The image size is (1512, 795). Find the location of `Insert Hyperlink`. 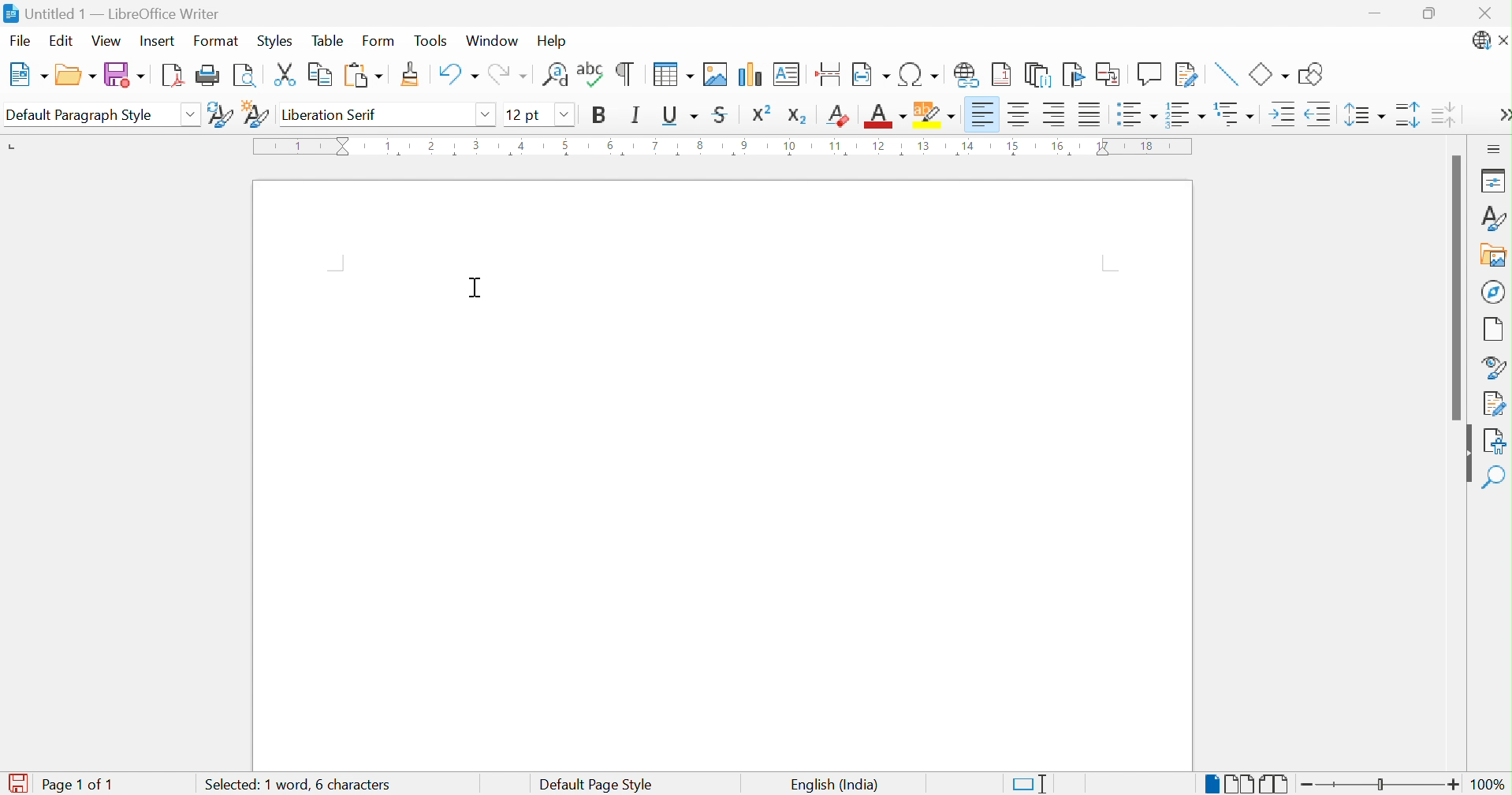

Insert Hyperlink is located at coordinates (968, 73).